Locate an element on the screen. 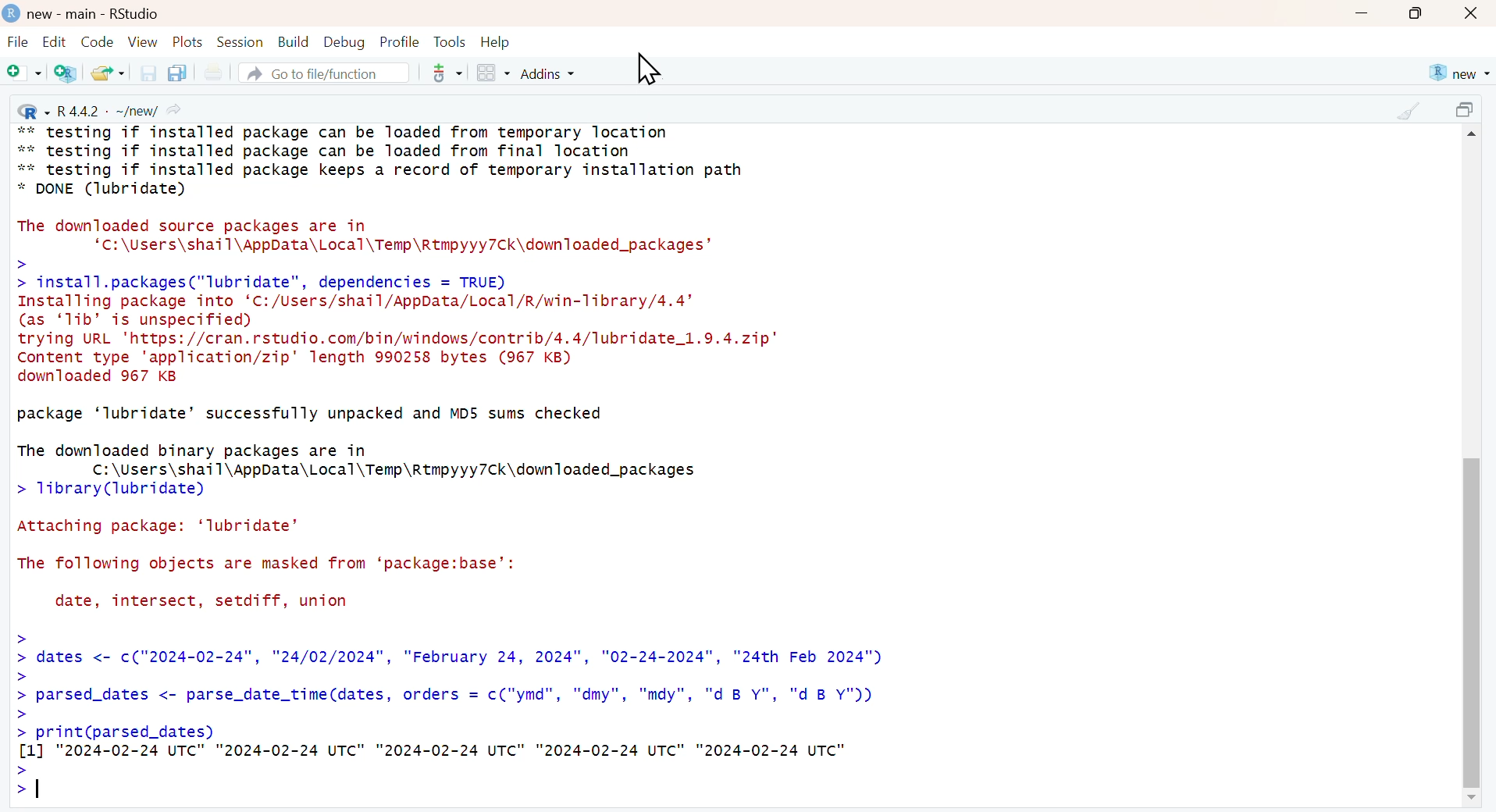 The height and width of the screenshot is (812, 1496). package ‘lubridate’ successfully unpacked and MD5 sums checked
The downloaded binary packages are in
C:\Users\shail\AppData\Local\Temp\Rtmpyyy7Ck\downloaded_packages
> 1ibrary(lubridate)
Attaching package: ‘lubridate’
The following objects are masked from ‘package:base’:
date, intersect, setdiff, union is located at coordinates (364, 507).